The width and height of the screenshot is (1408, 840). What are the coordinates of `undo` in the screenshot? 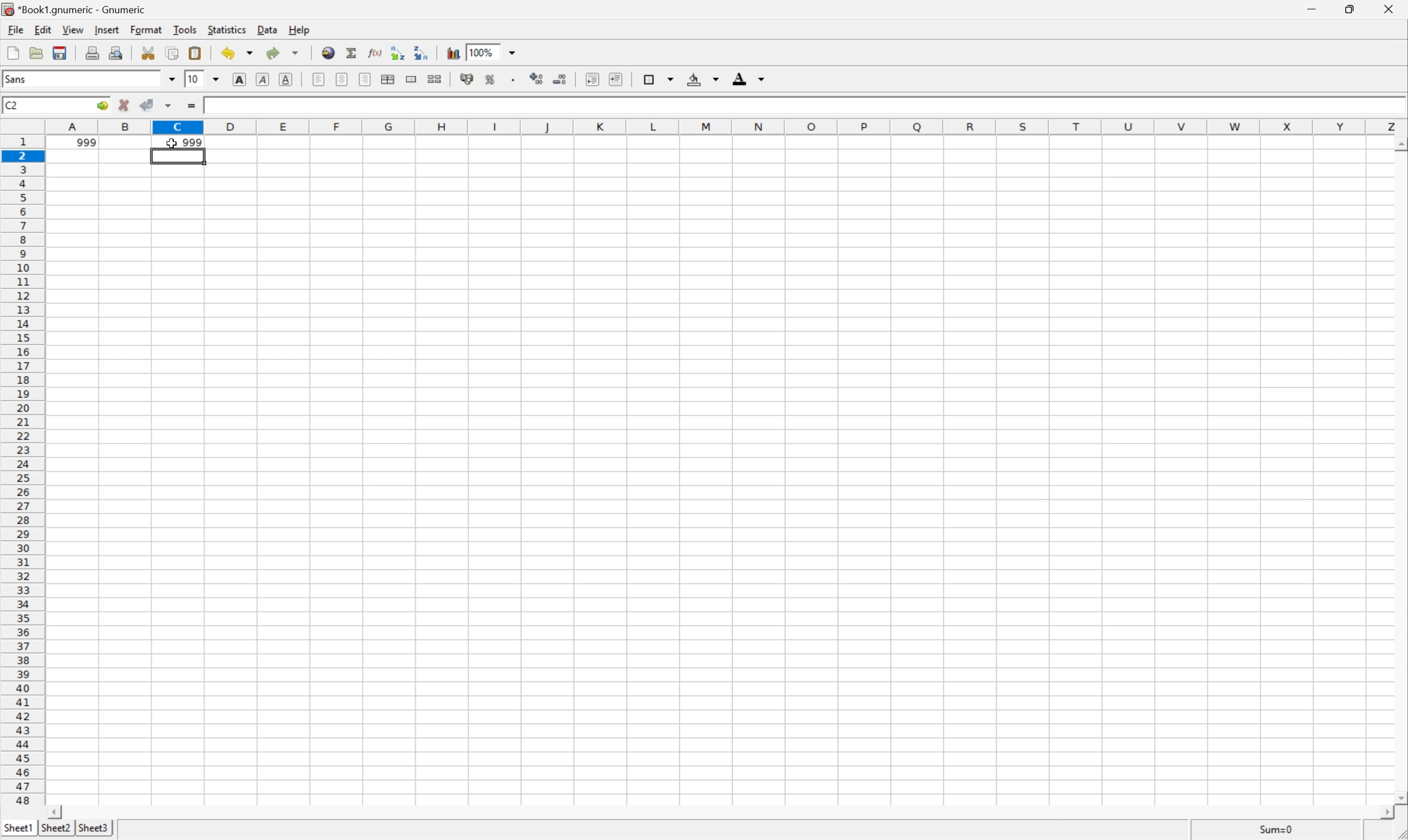 It's located at (239, 53).